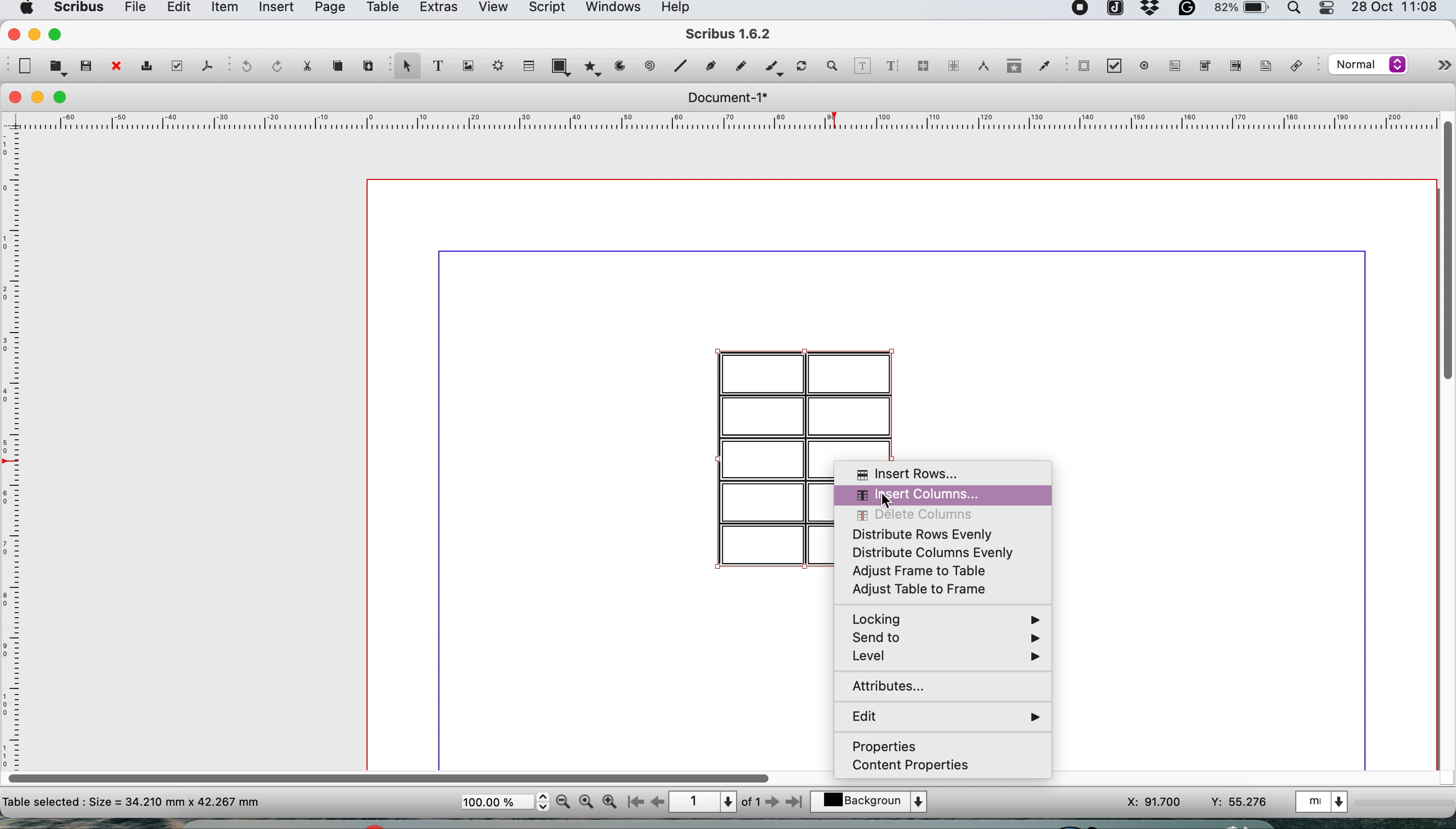 This screenshot has height=829, width=1456. Describe the element at coordinates (936, 574) in the screenshot. I see `adjust frame to table` at that location.